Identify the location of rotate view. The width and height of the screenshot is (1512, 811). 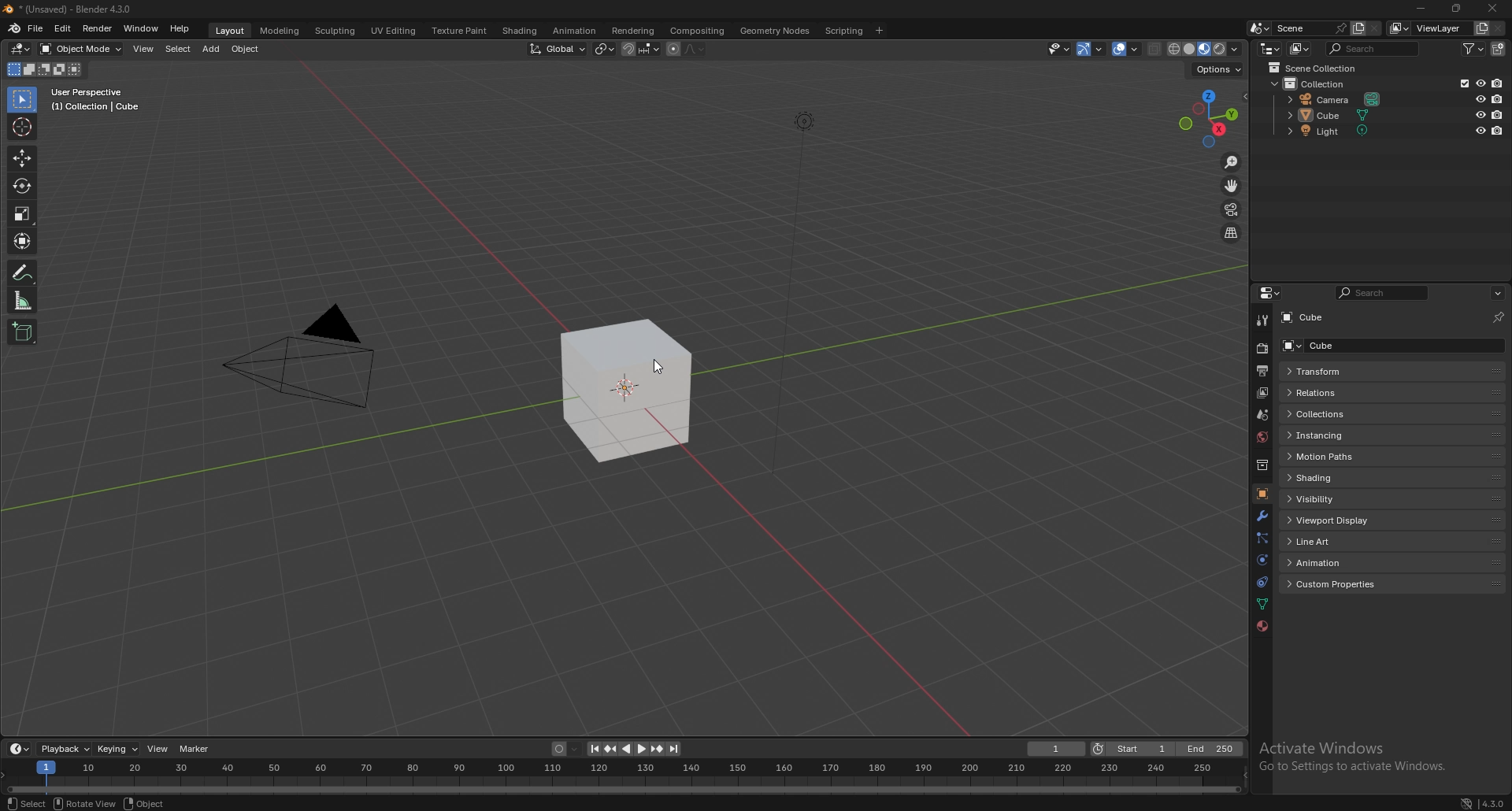
(83, 803).